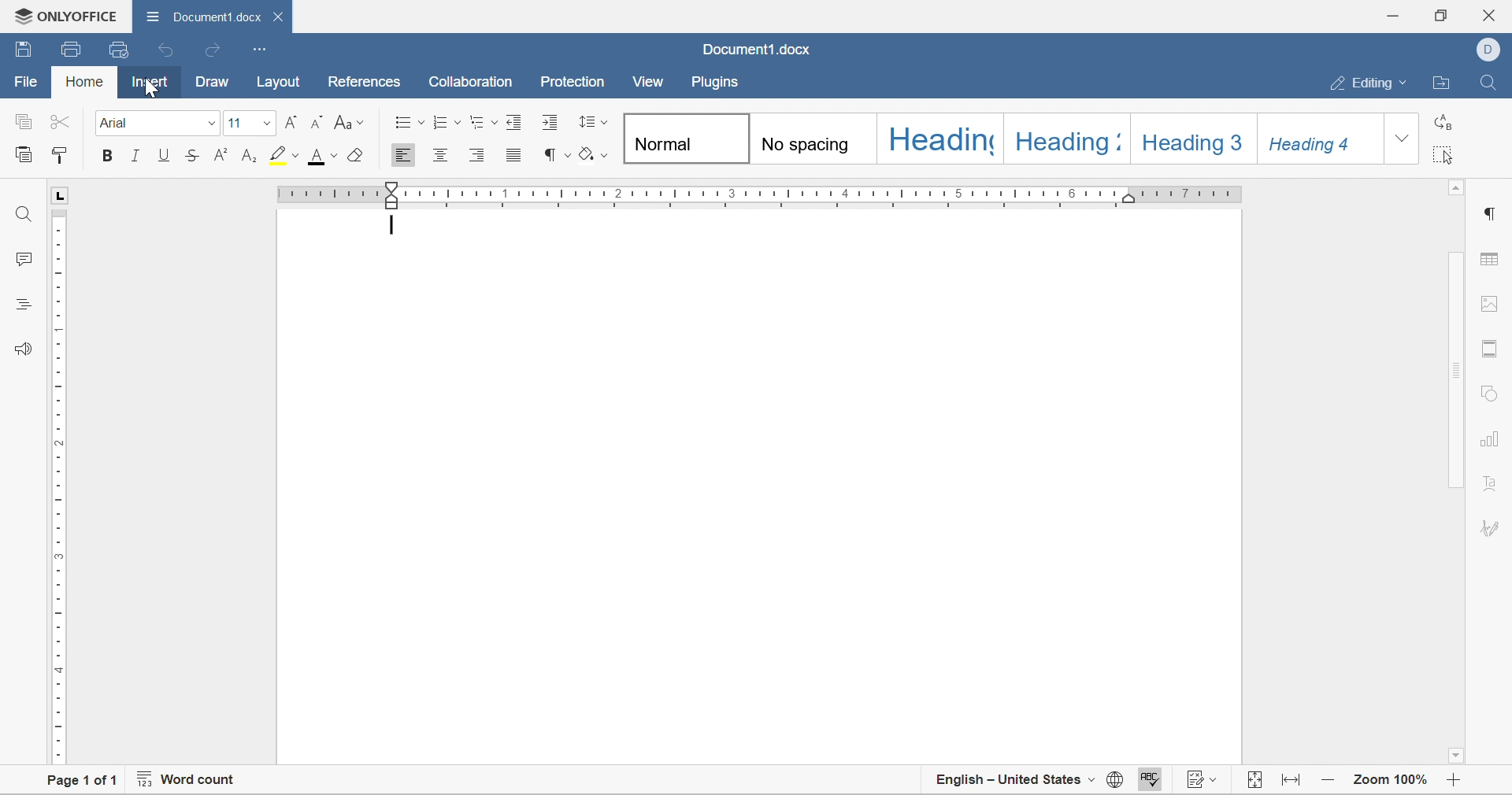  Describe the element at coordinates (1255, 782) in the screenshot. I see `Track changes` at that location.